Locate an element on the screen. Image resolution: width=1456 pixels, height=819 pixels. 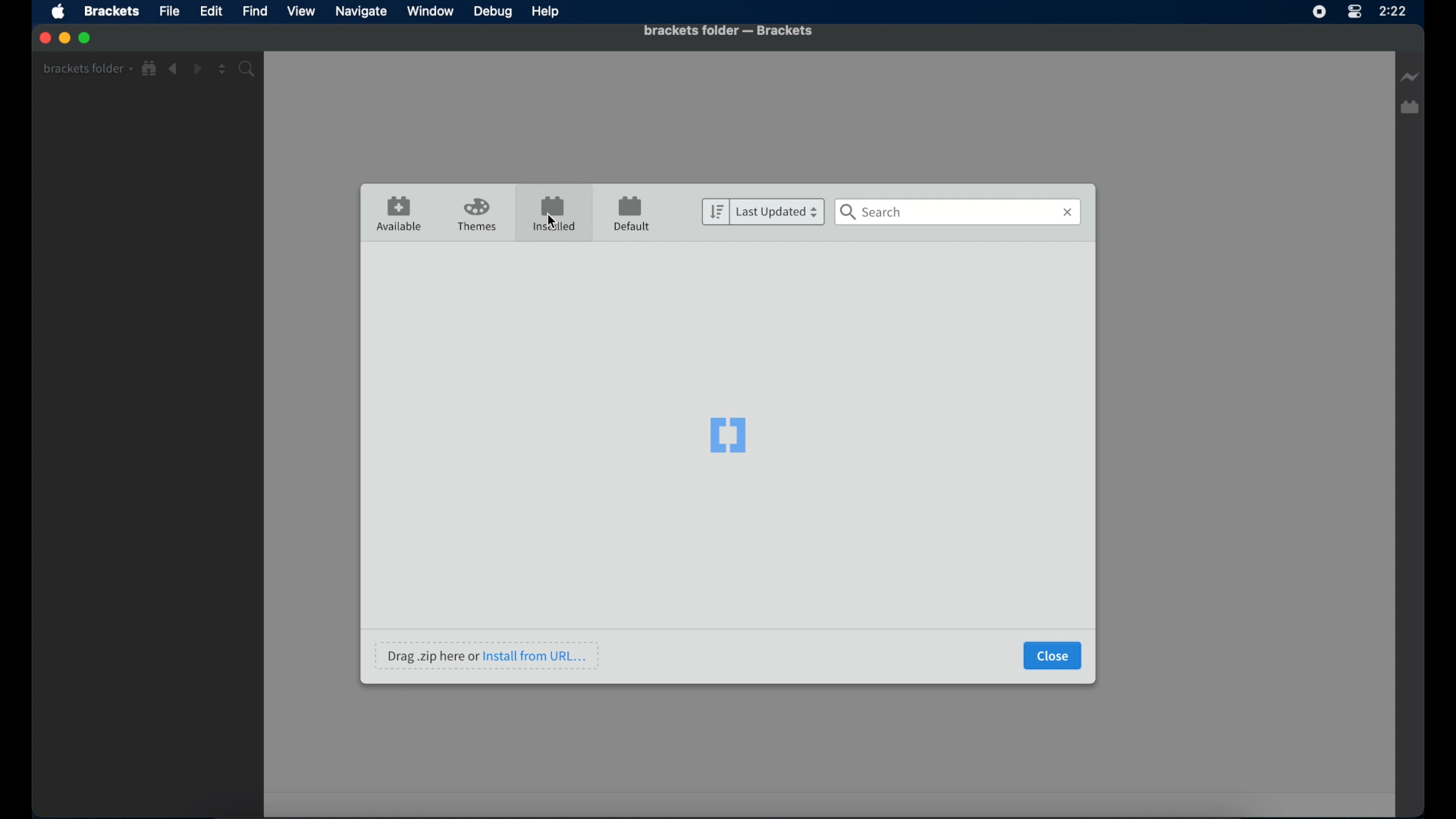
help is located at coordinates (546, 12).